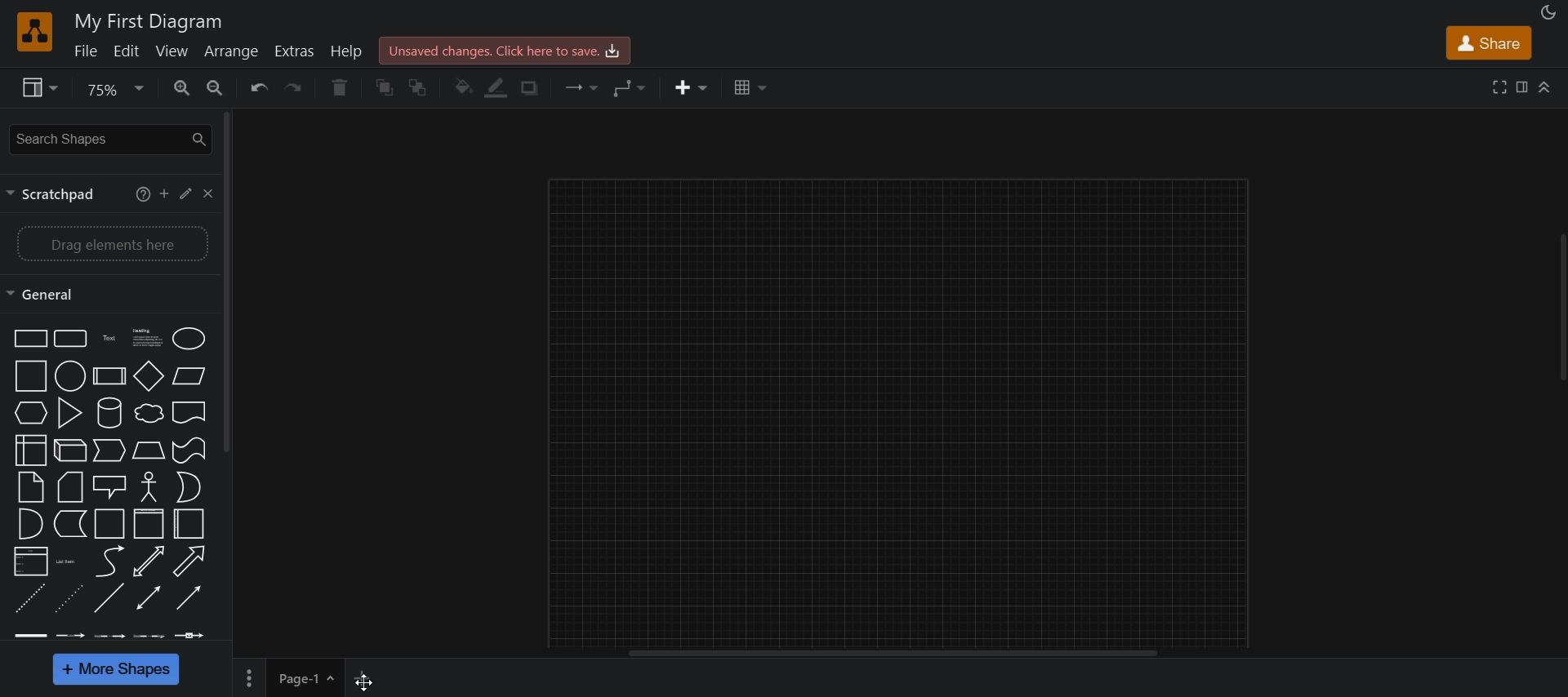  What do you see at coordinates (115, 671) in the screenshot?
I see `more shapes` at bounding box center [115, 671].